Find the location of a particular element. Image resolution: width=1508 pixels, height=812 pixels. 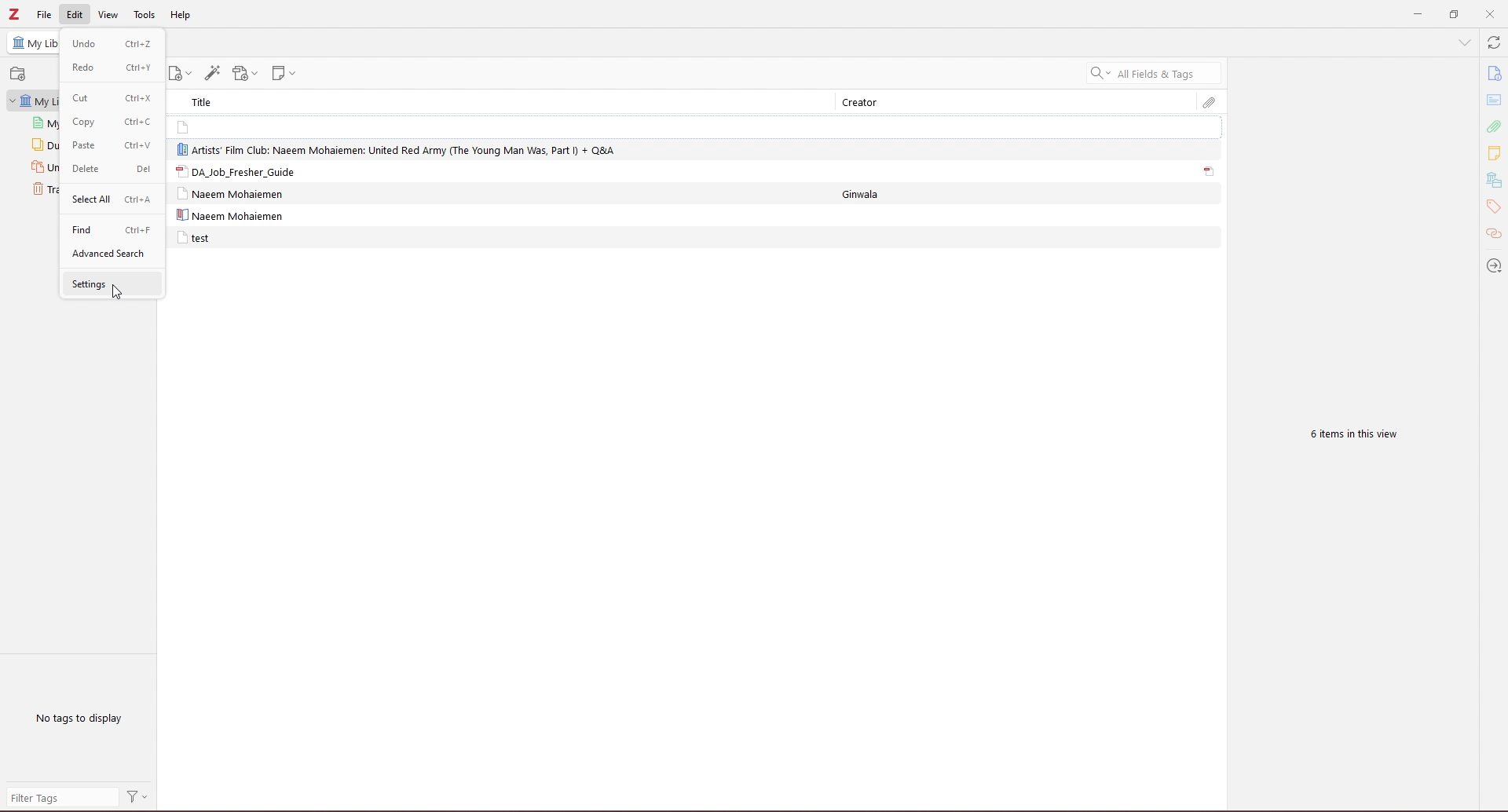

Ginwala is located at coordinates (871, 194).